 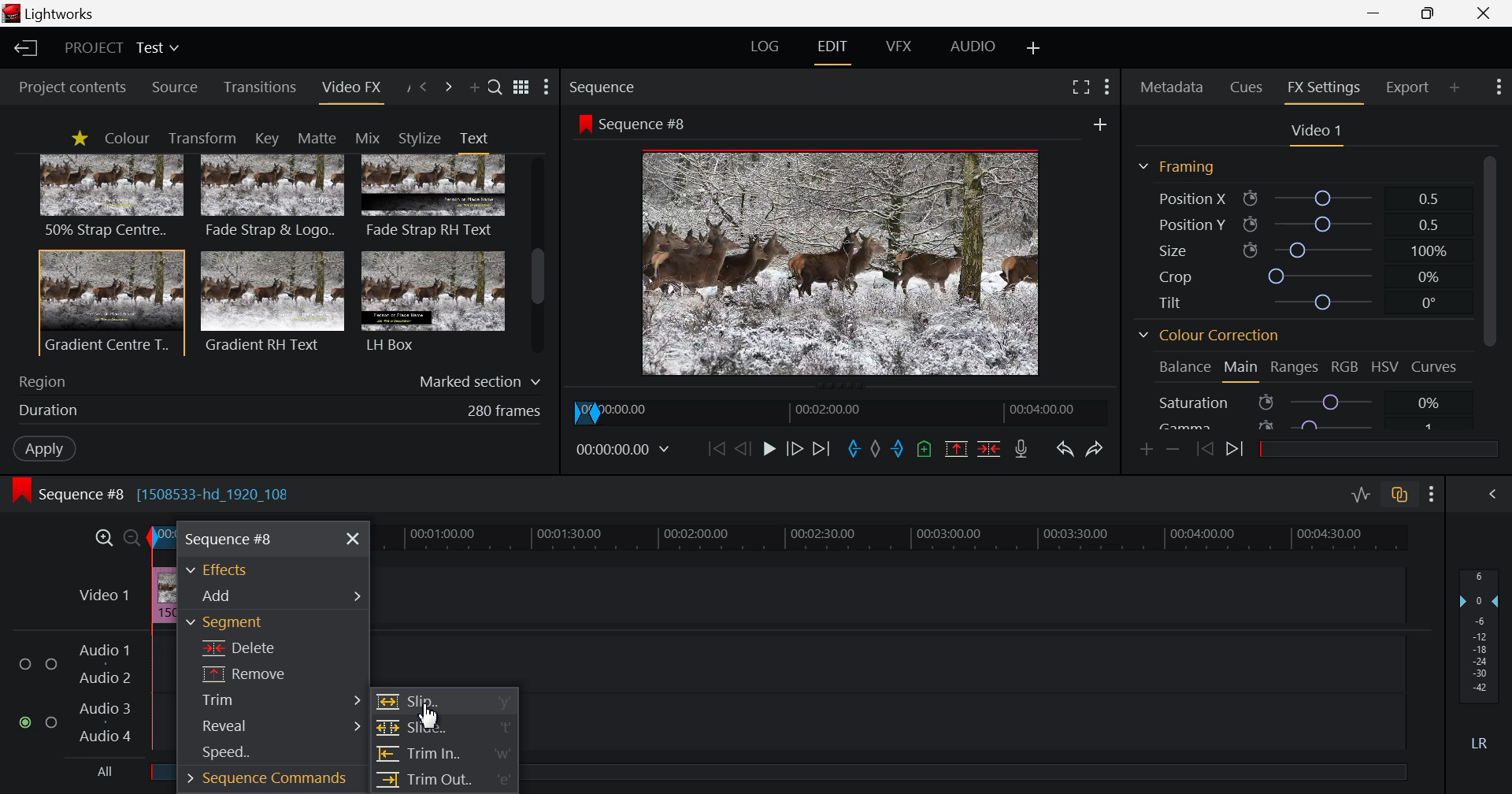 I want to click on Video Settings, so click(x=1317, y=132).